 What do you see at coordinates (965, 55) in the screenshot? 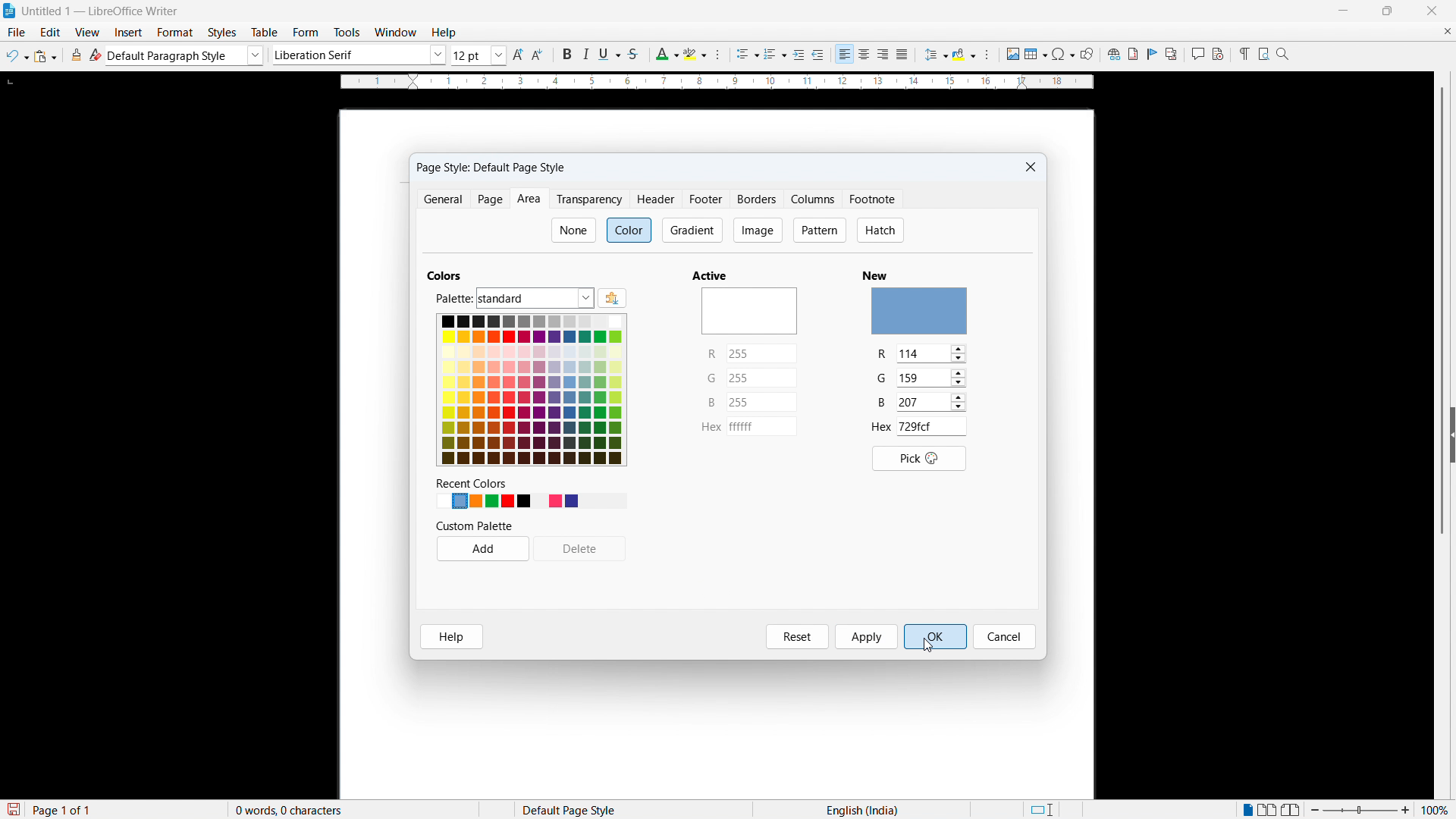
I see `Background colour ` at bounding box center [965, 55].